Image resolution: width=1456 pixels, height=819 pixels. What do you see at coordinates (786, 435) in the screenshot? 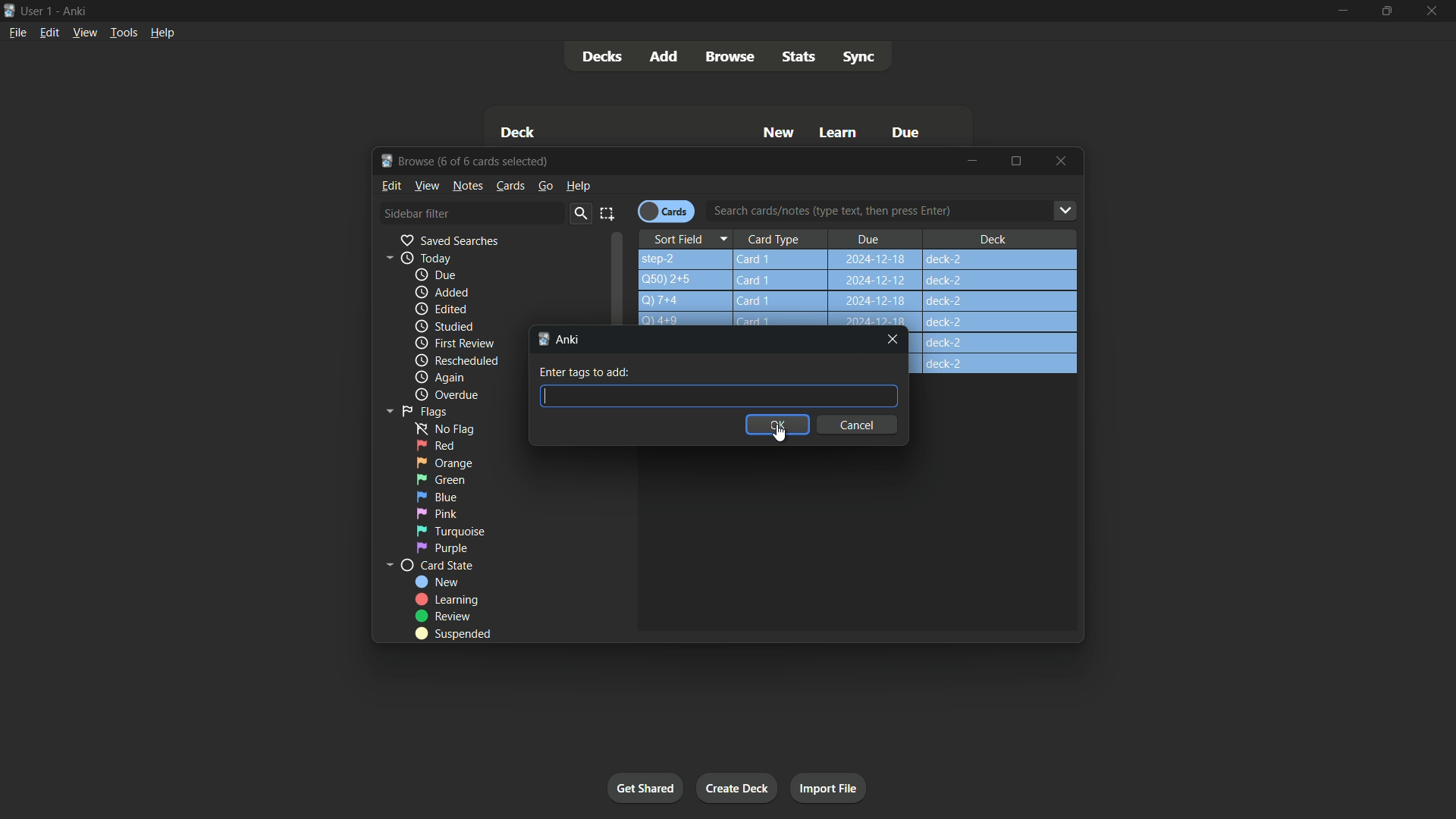
I see `Cursor` at bounding box center [786, 435].